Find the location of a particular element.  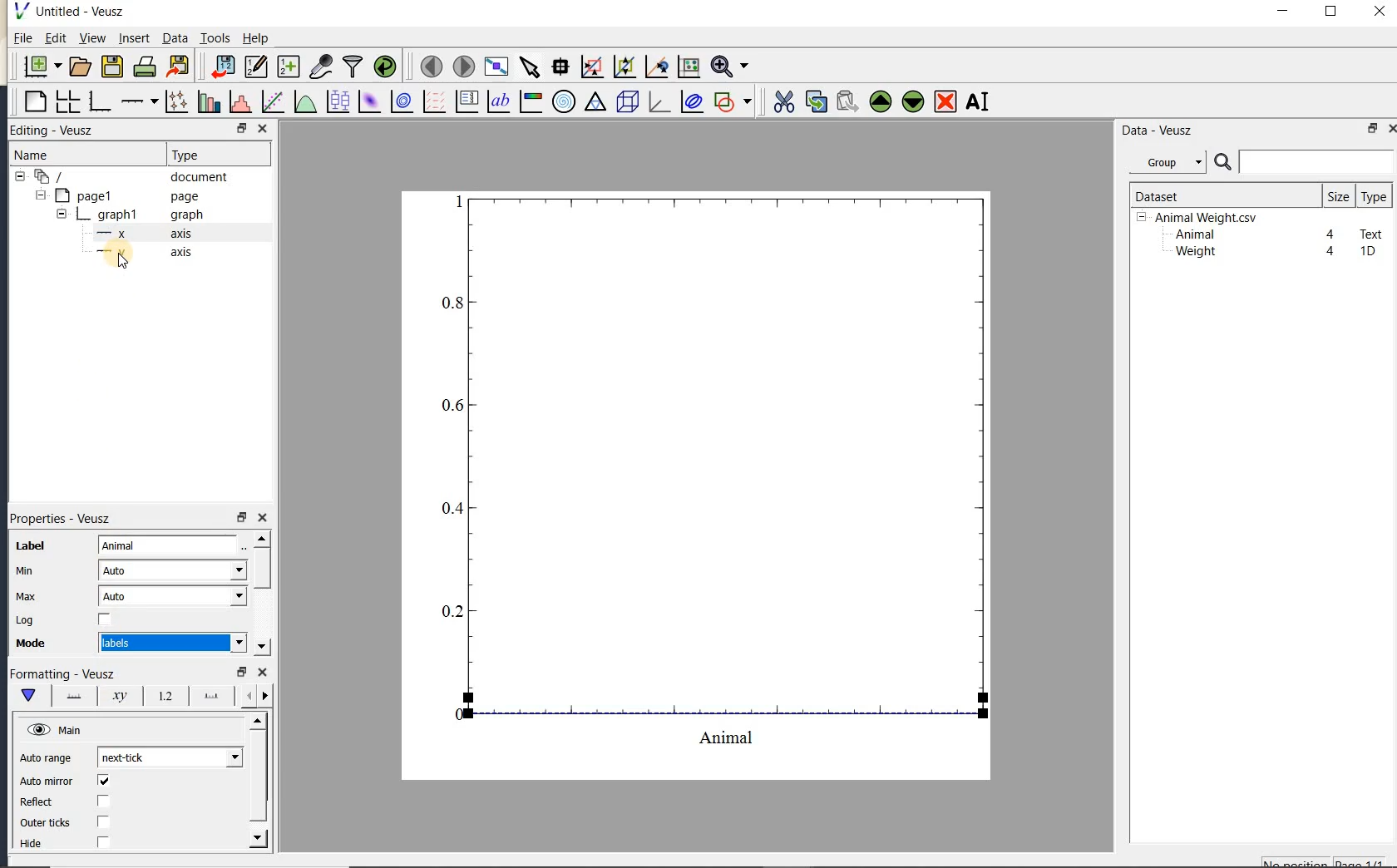

Label is located at coordinates (31, 546).